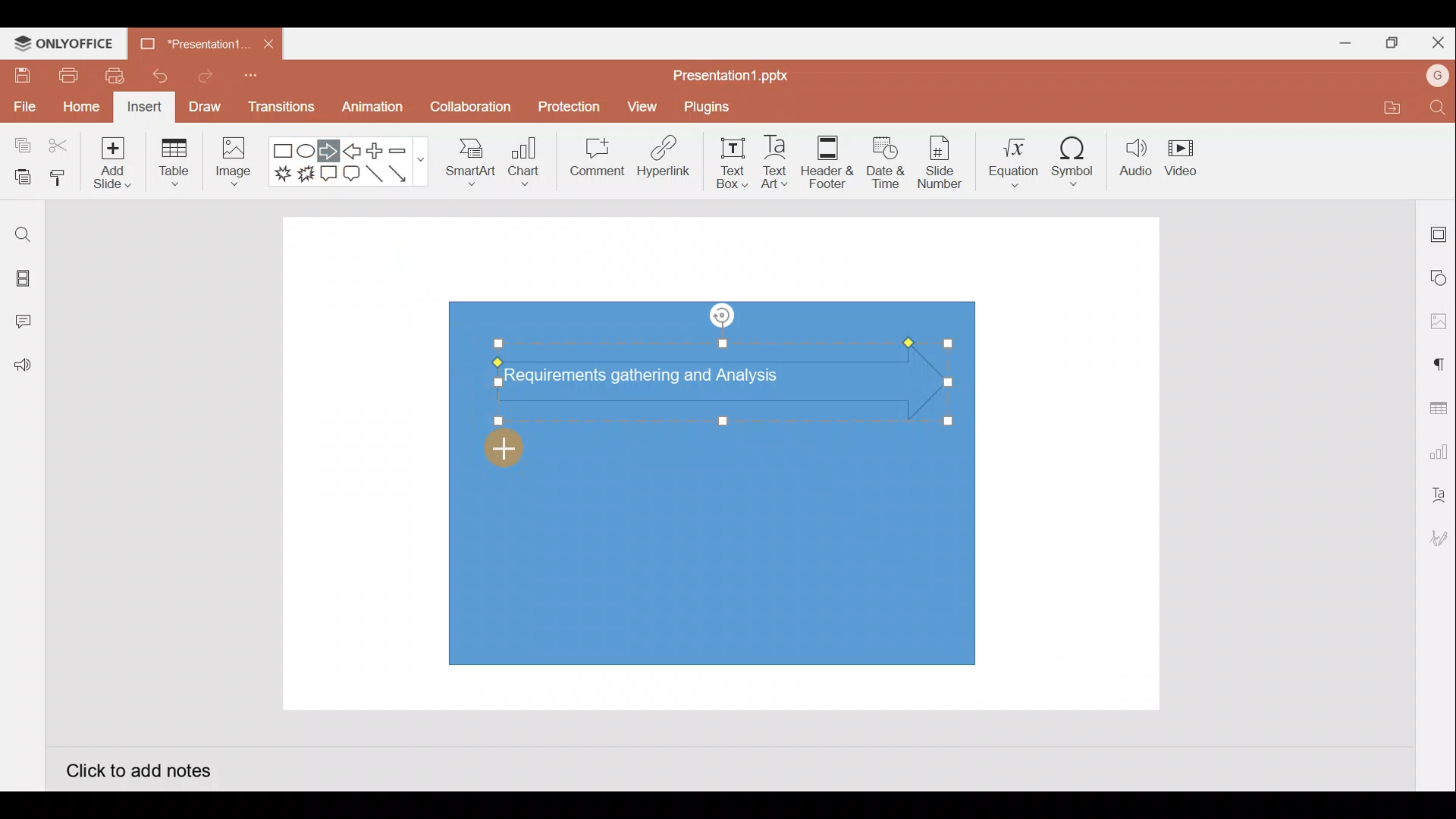 This screenshot has width=1456, height=819. I want to click on Image, so click(231, 165).